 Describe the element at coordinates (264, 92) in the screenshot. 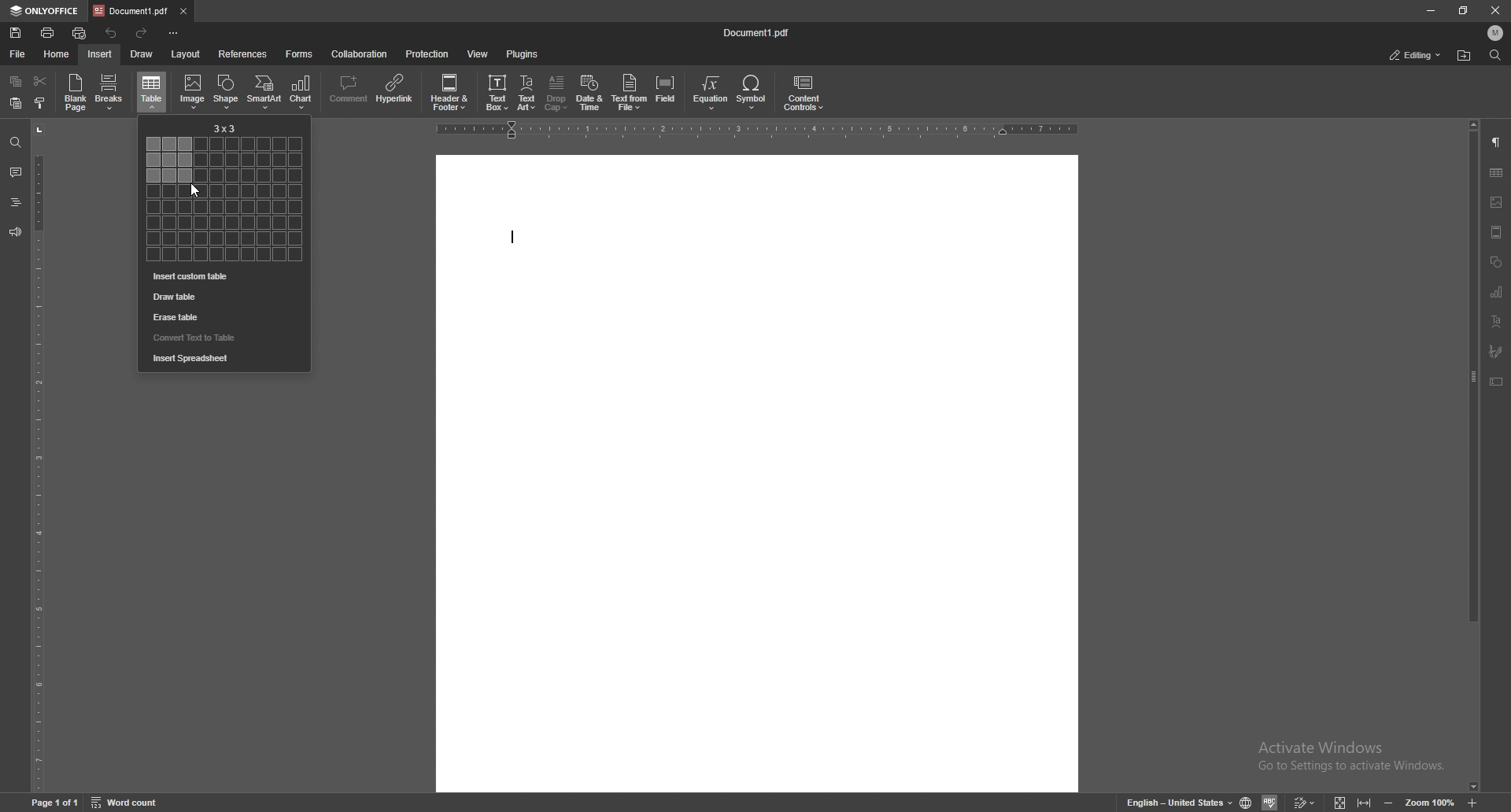

I see `smartart` at that location.